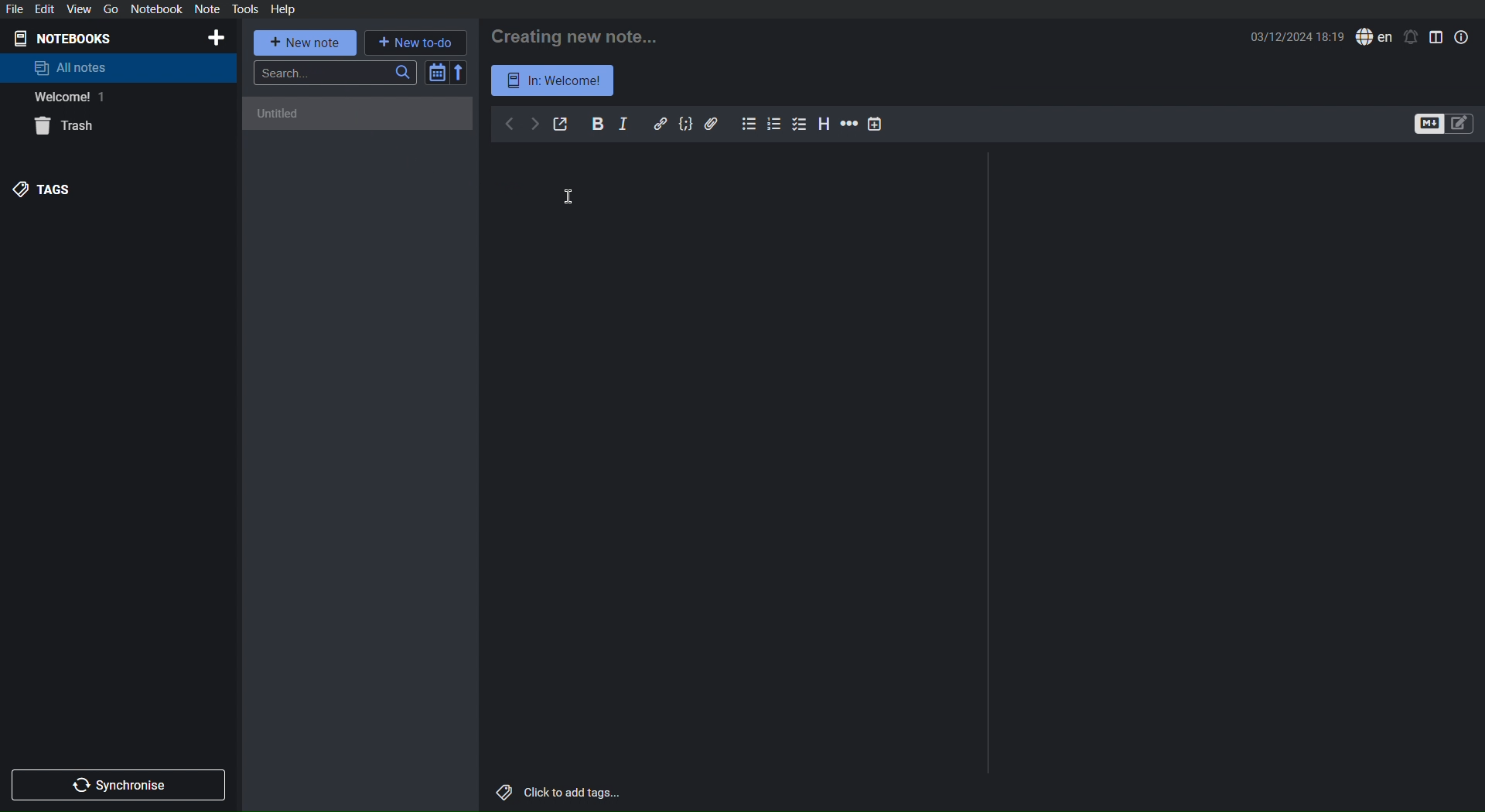  What do you see at coordinates (447, 72) in the screenshot?
I see `Sorting` at bounding box center [447, 72].